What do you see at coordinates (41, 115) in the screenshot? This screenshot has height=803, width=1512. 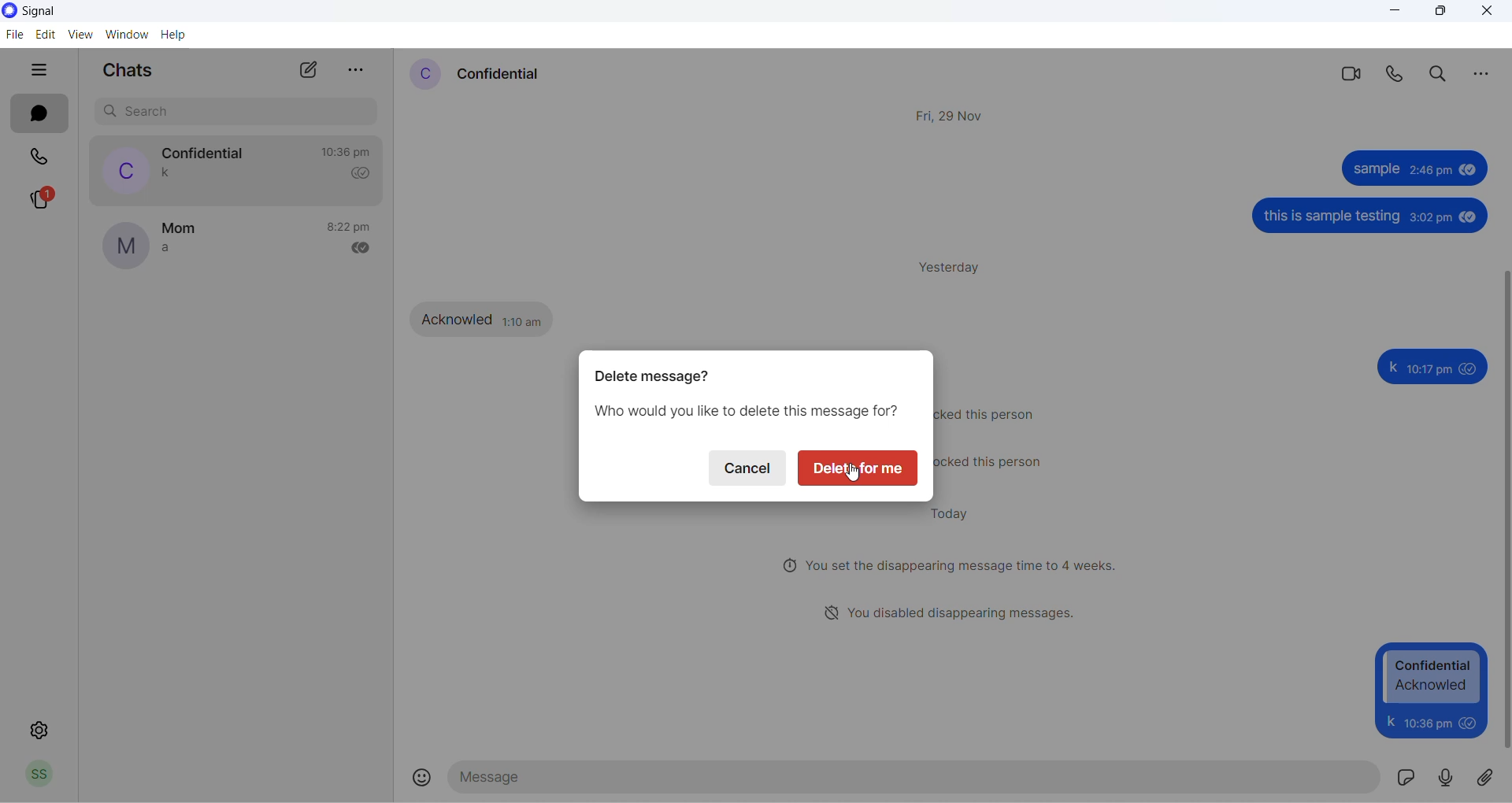 I see `chats` at bounding box center [41, 115].